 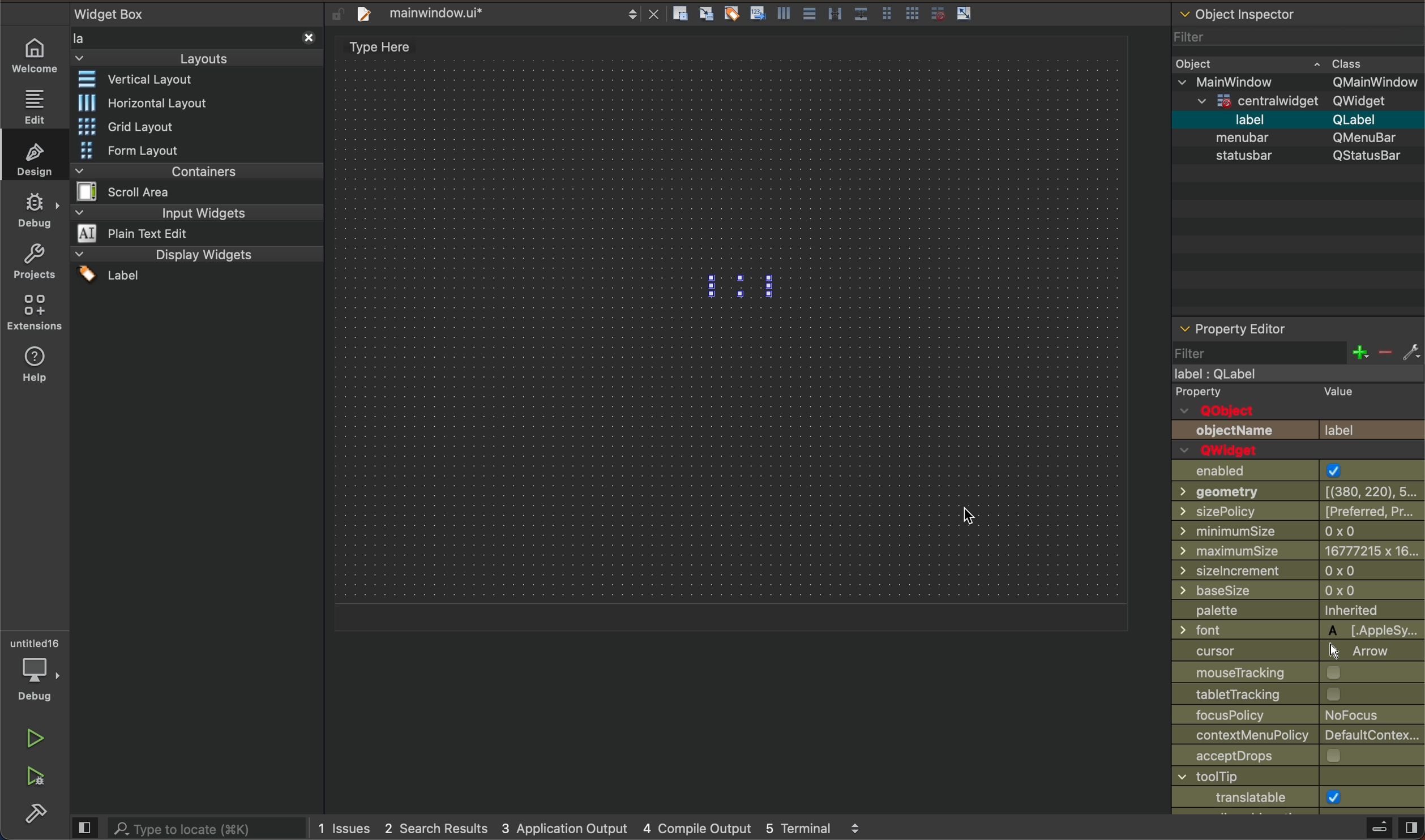 I want to click on , so click(x=1298, y=591).